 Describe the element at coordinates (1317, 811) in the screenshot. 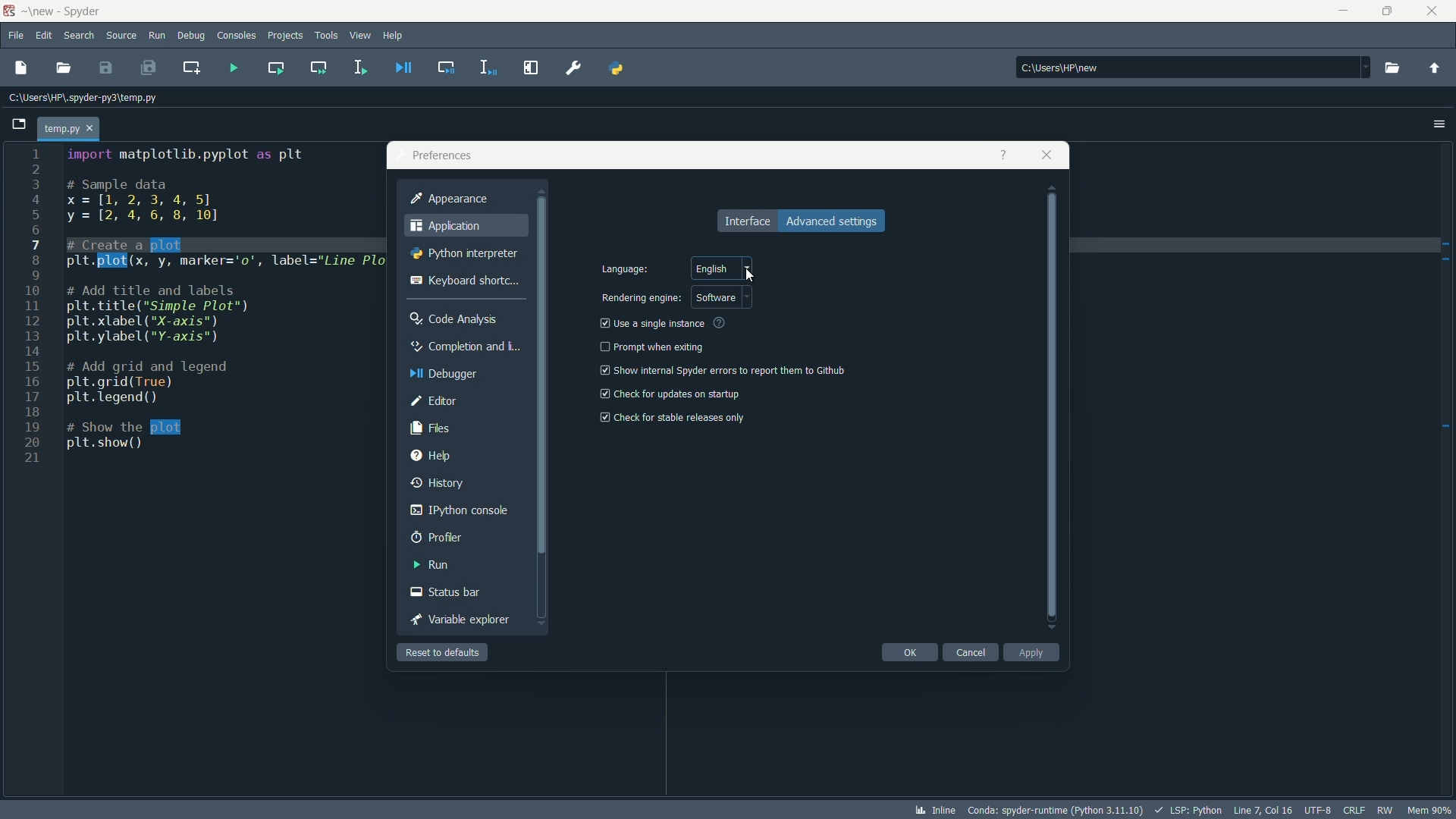

I see `file encoding` at that location.